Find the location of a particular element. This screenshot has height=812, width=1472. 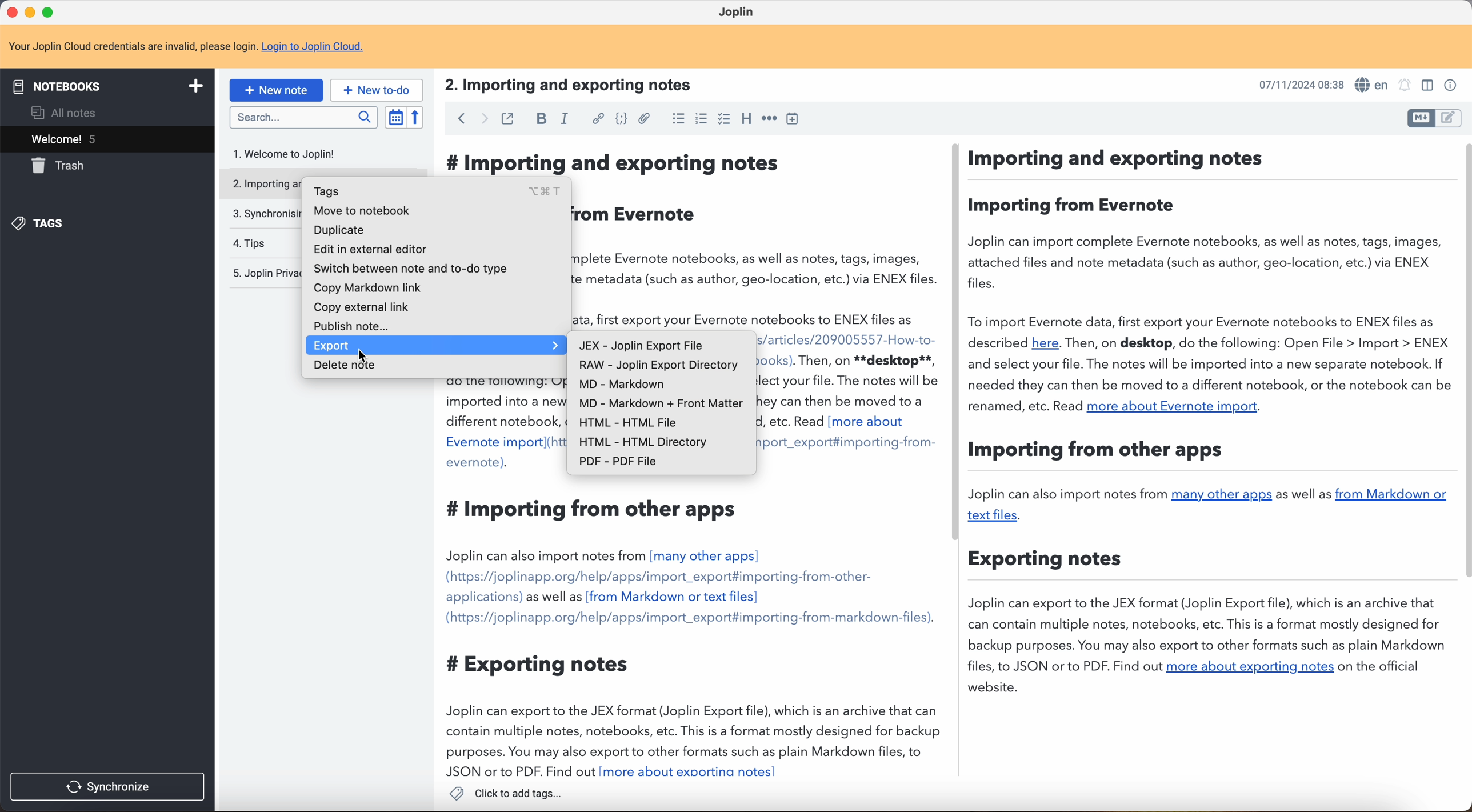

publish note is located at coordinates (350, 325).